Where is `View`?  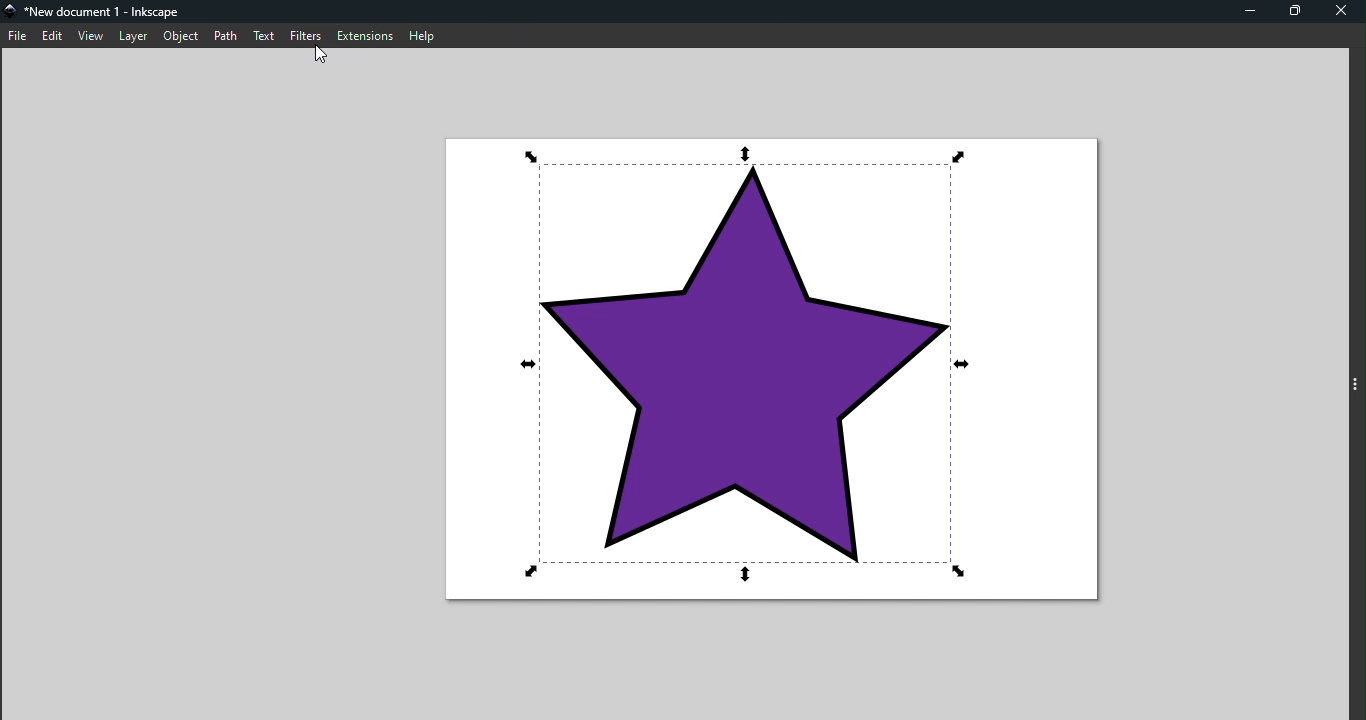 View is located at coordinates (91, 35).